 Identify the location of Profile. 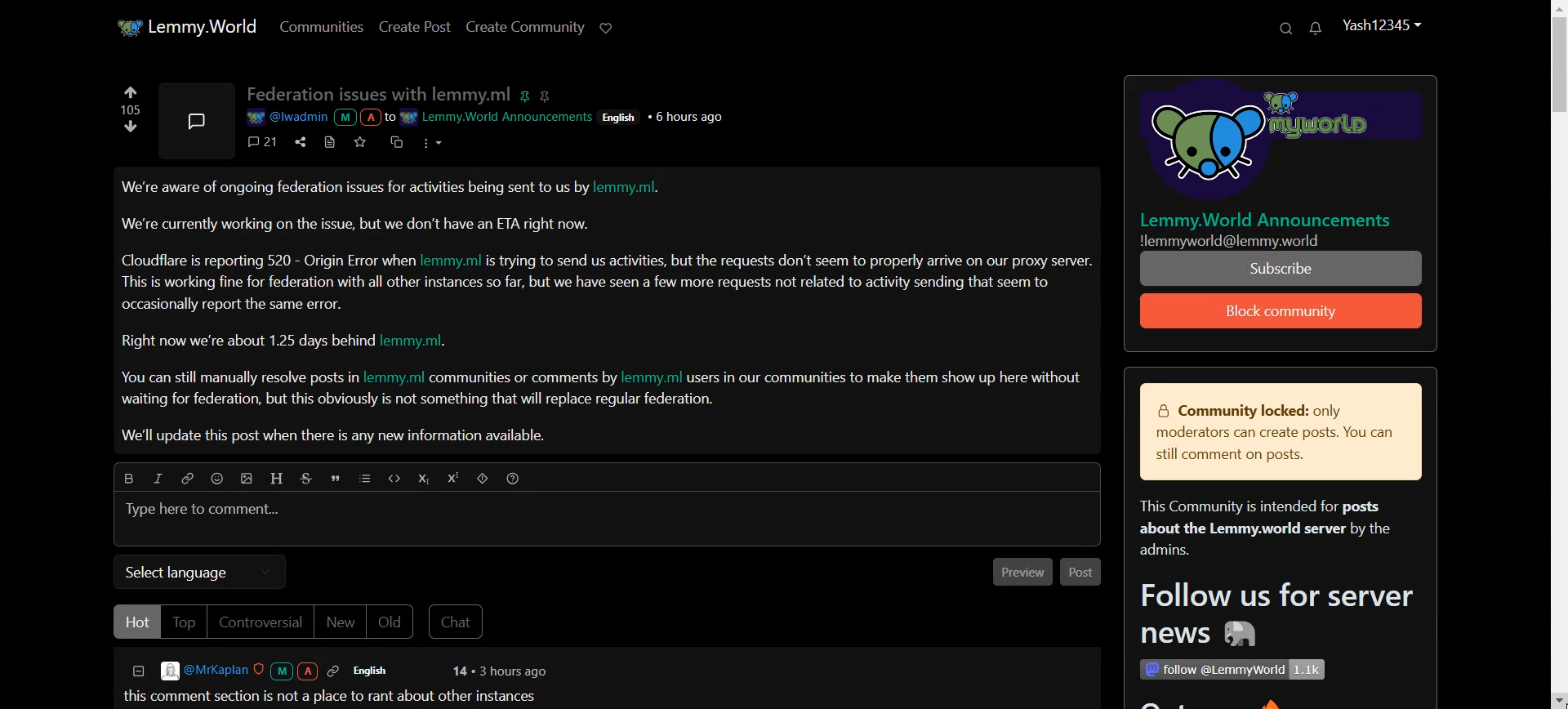
(1383, 26).